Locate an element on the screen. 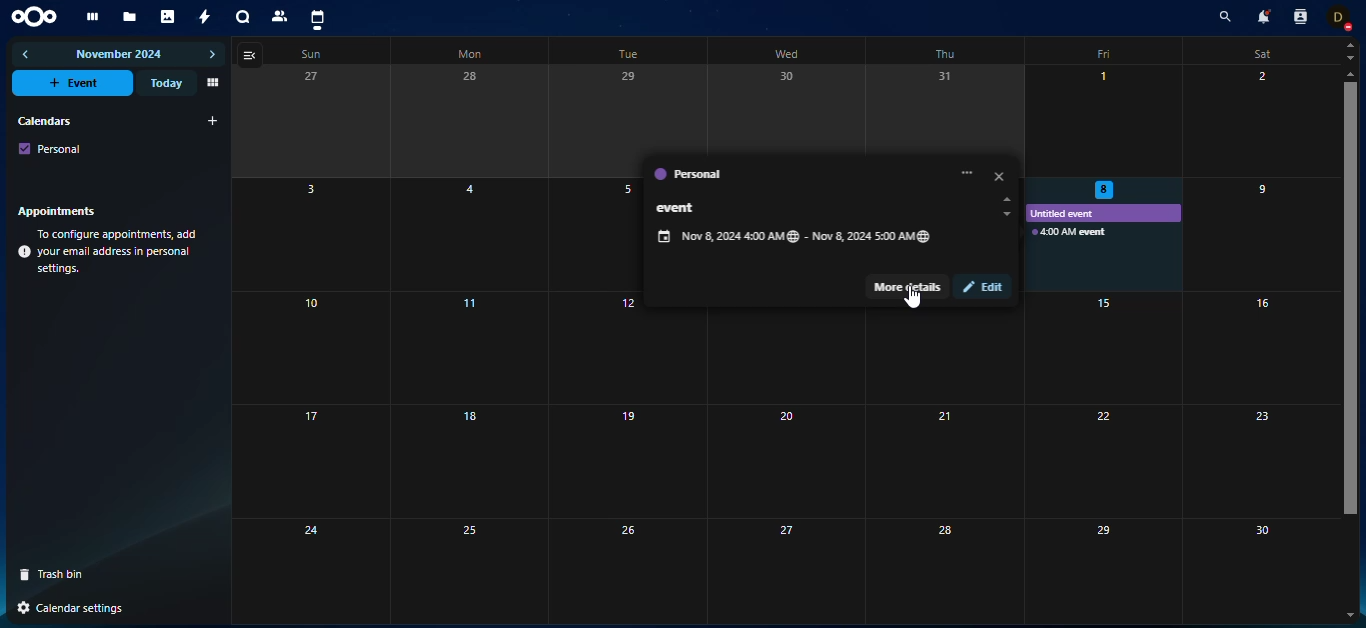  contact is located at coordinates (281, 16).